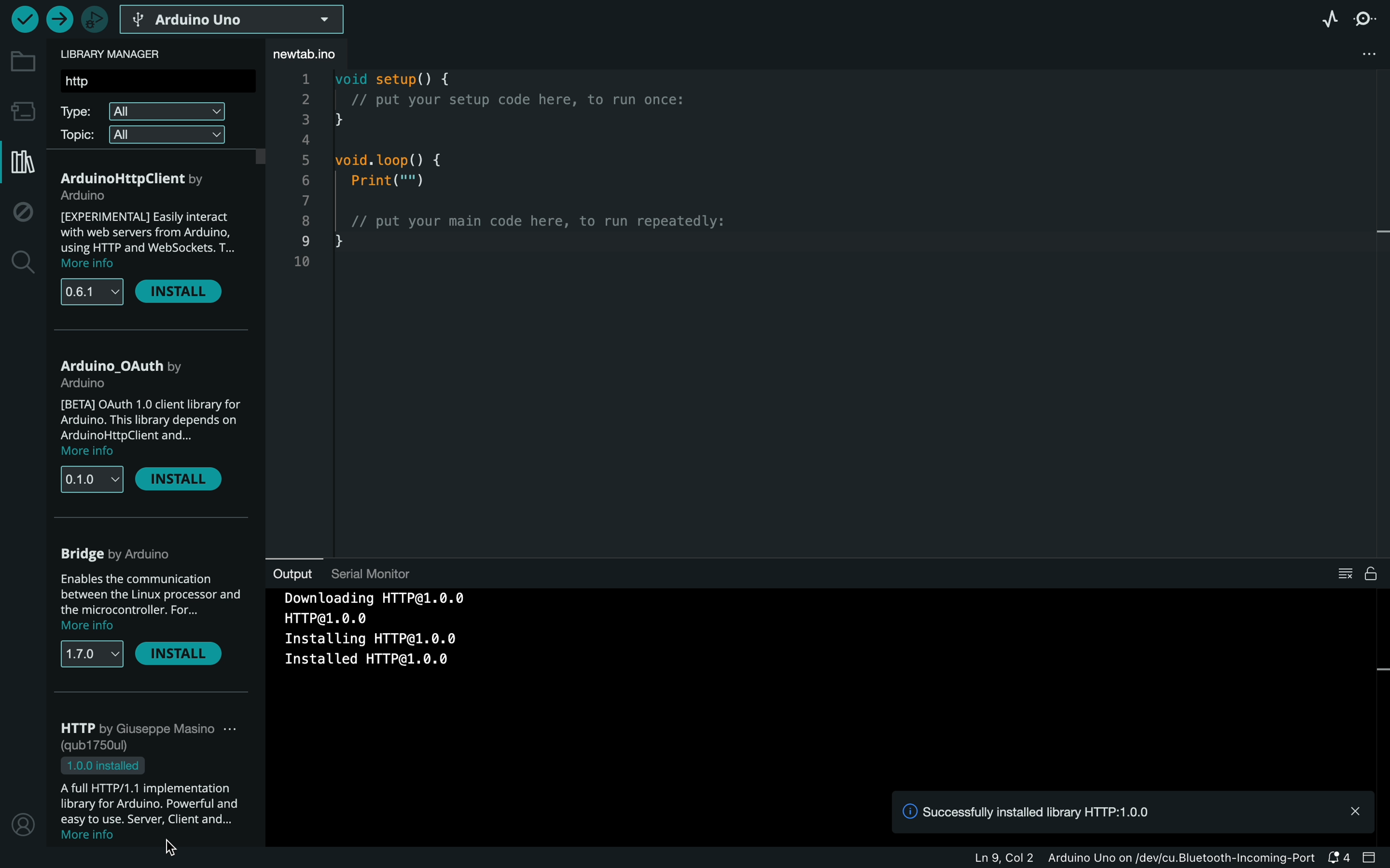 The image size is (1390, 868). I want to click on install, so click(186, 292).